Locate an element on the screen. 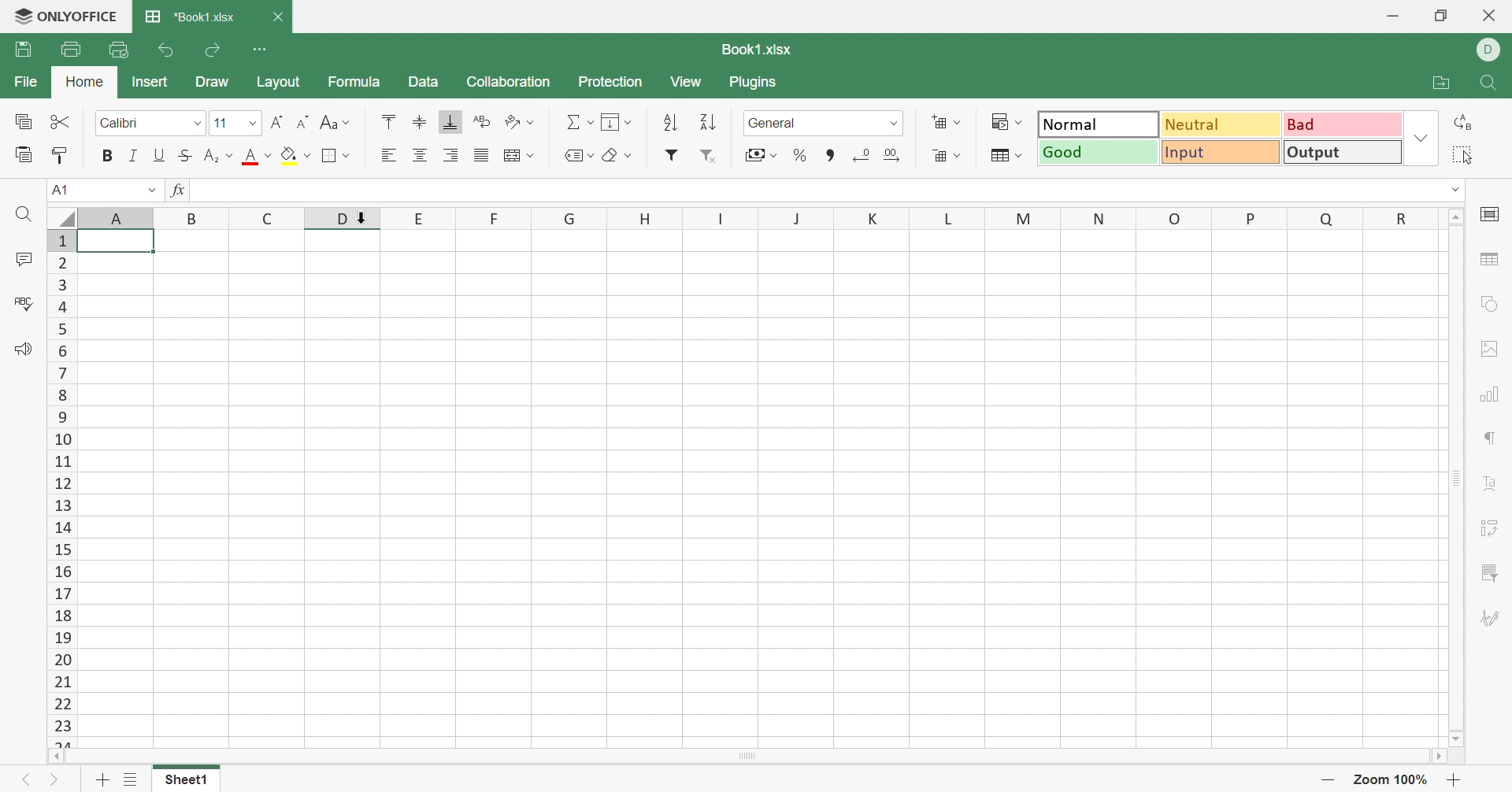 The width and height of the screenshot is (1512, 792). Check Spelling is located at coordinates (22, 303).